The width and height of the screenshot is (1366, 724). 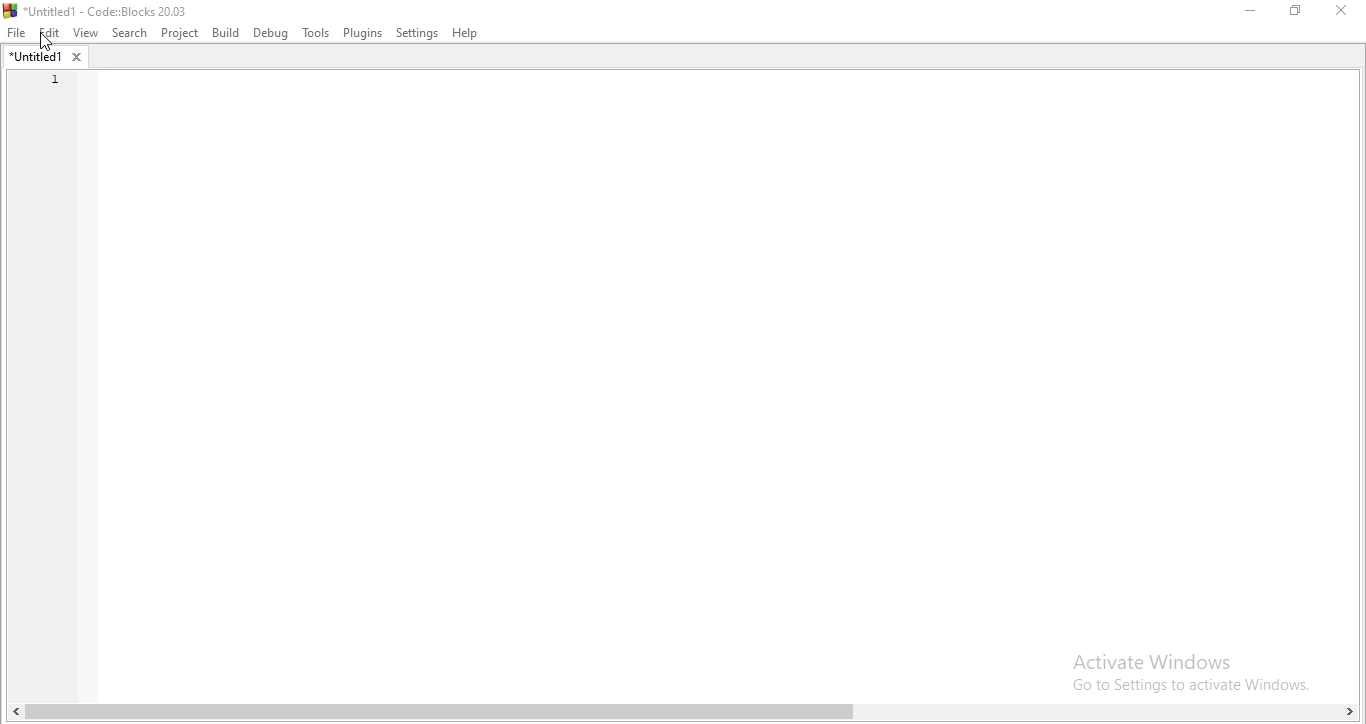 I want to click on Close, so click(x=1340, y=14).